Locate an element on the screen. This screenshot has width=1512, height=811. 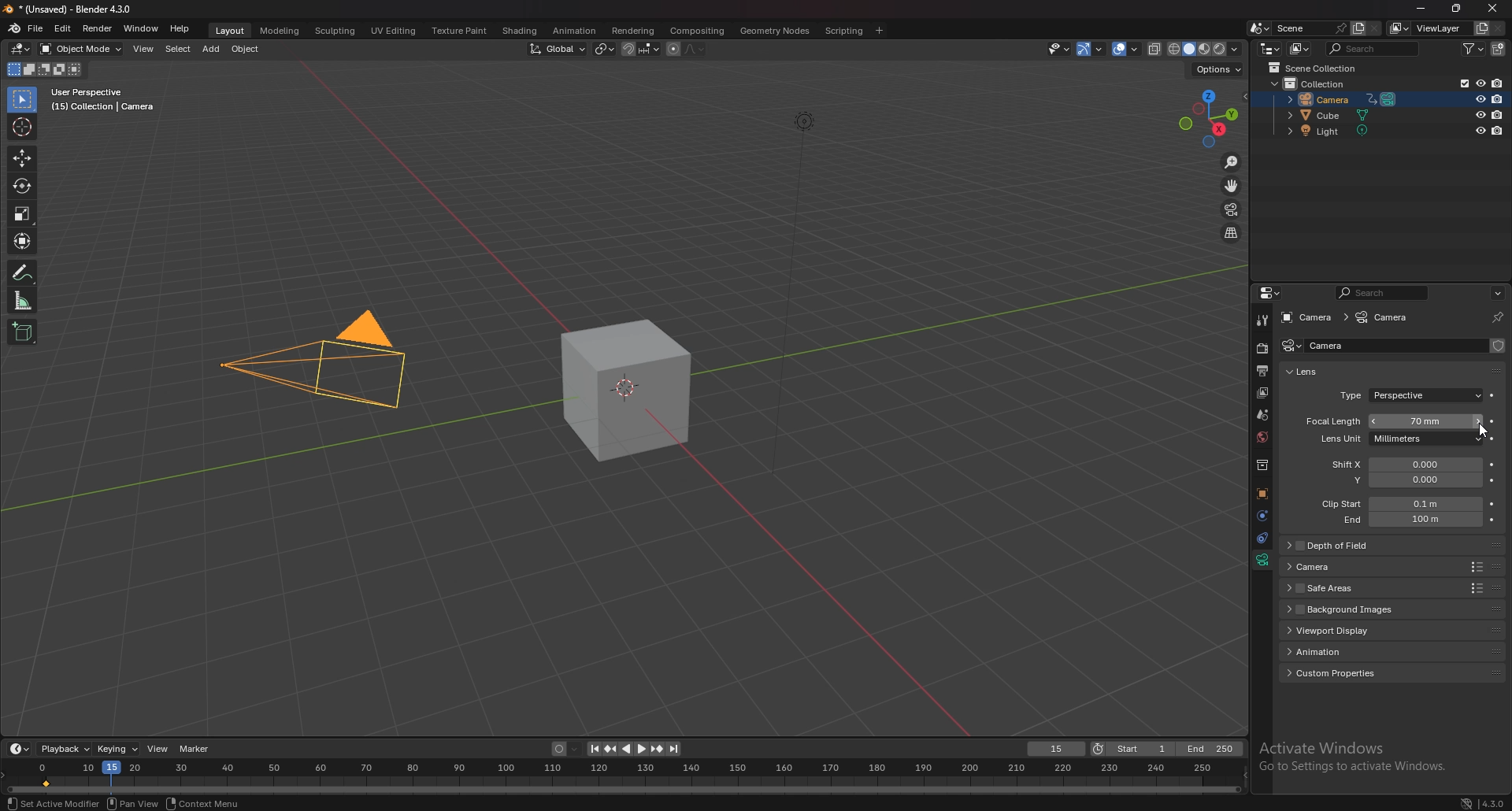
add viewlayer is located at coordinates (1481, 27).